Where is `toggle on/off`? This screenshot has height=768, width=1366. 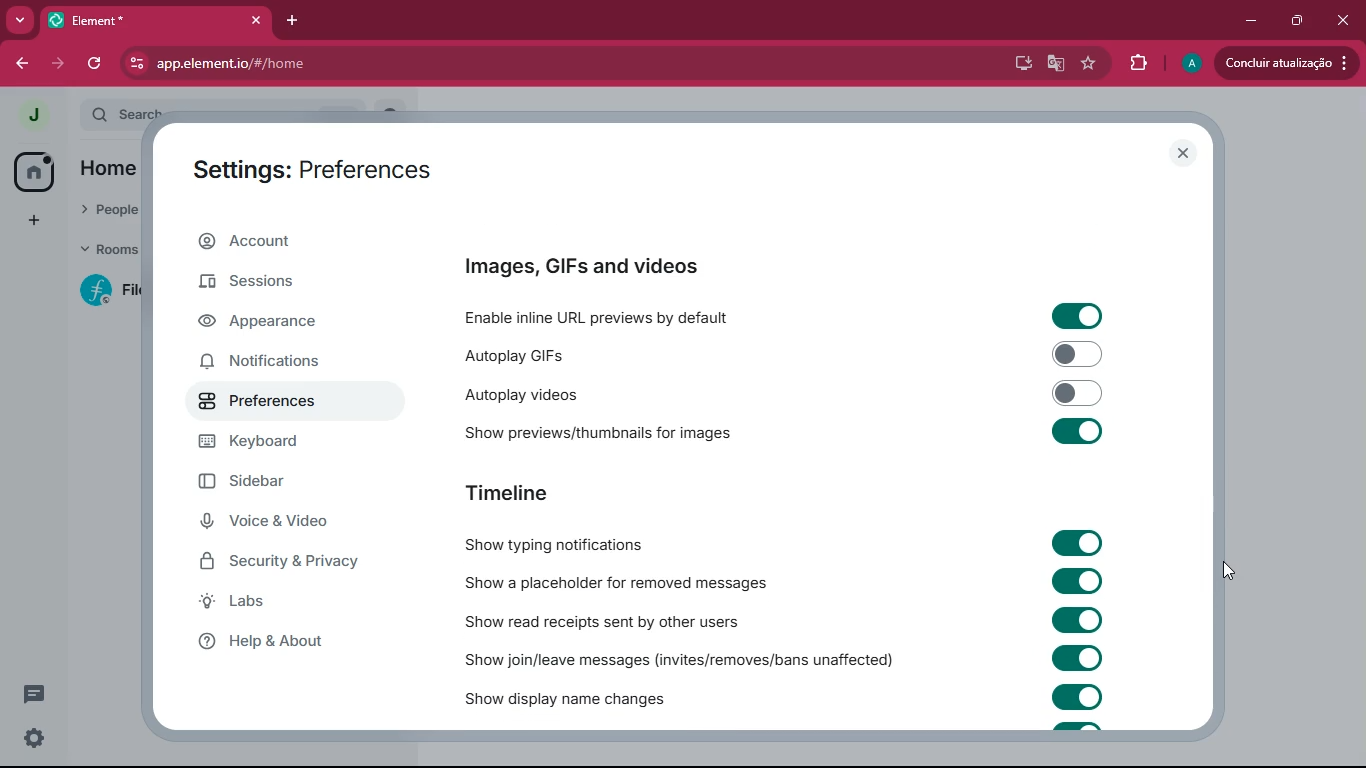
toggle on/off is located at coordinates (1078, 543).